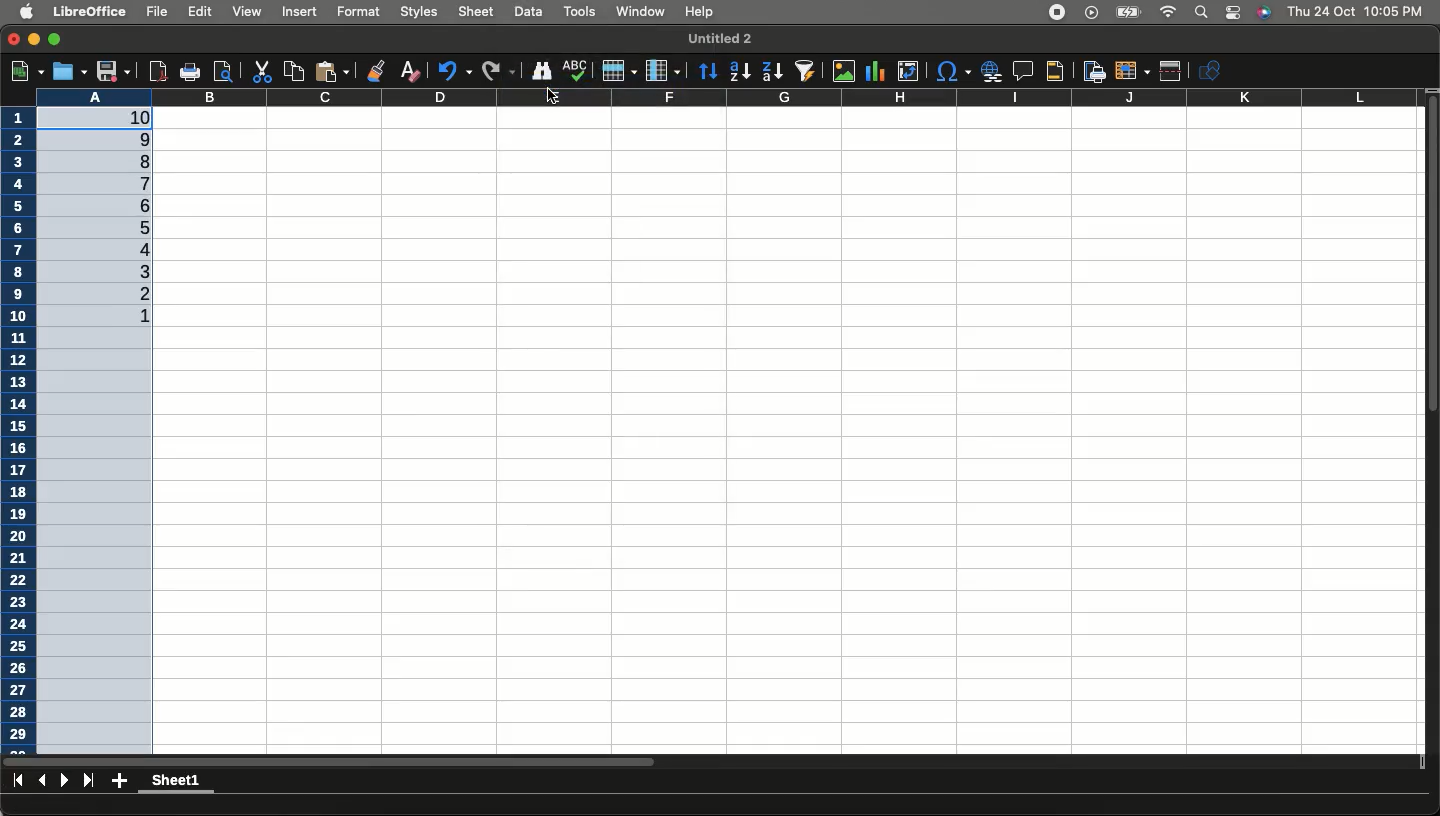 The width and height of the screenshot is (1440, 816). Describe the element at coordinates (664, 68) in the screenshot. I see `Column` at that location.